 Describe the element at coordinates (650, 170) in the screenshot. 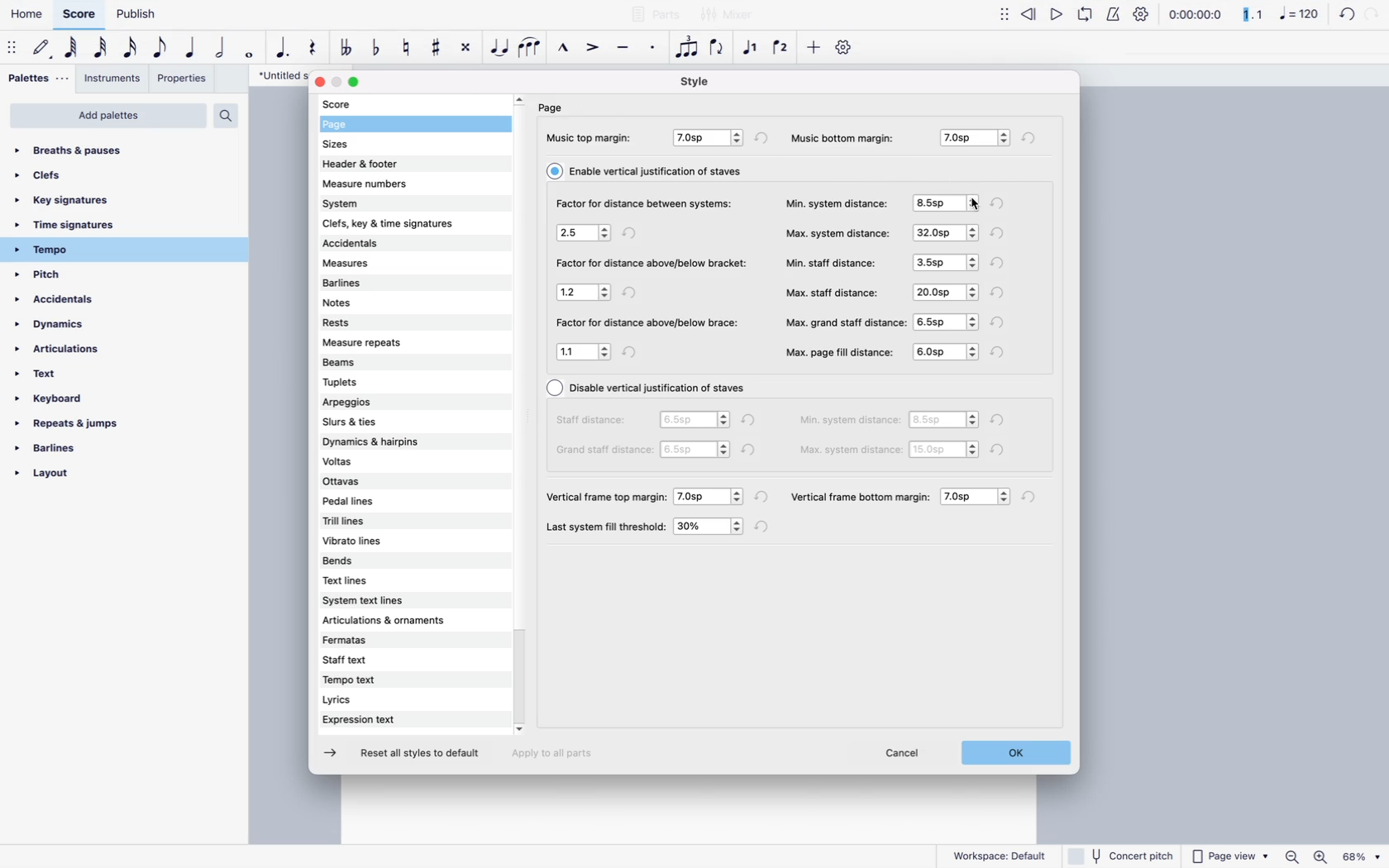

I see `enable vertical justification of staves` at that location.